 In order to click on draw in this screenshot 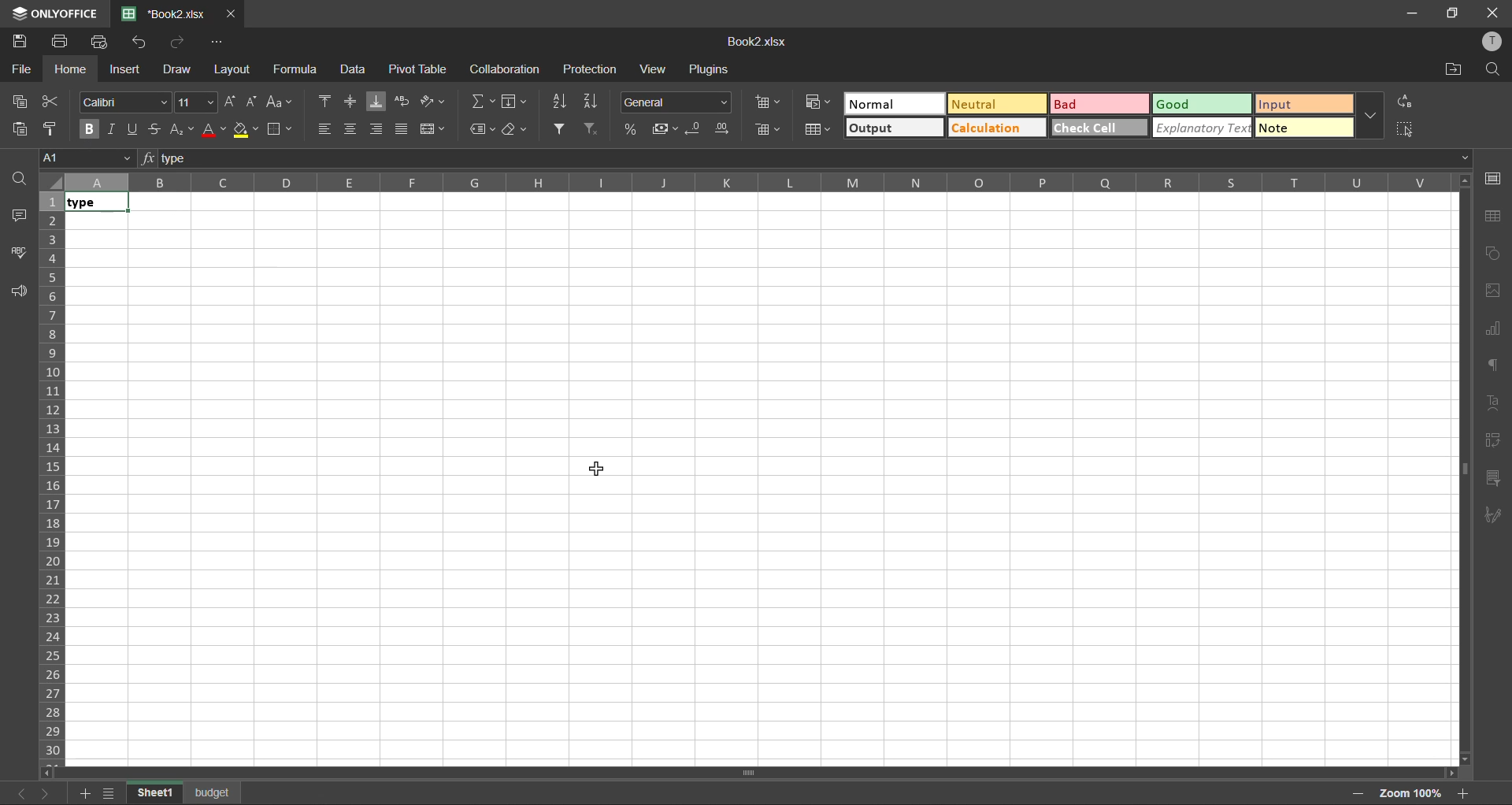, I will do `click(179, 70)`.